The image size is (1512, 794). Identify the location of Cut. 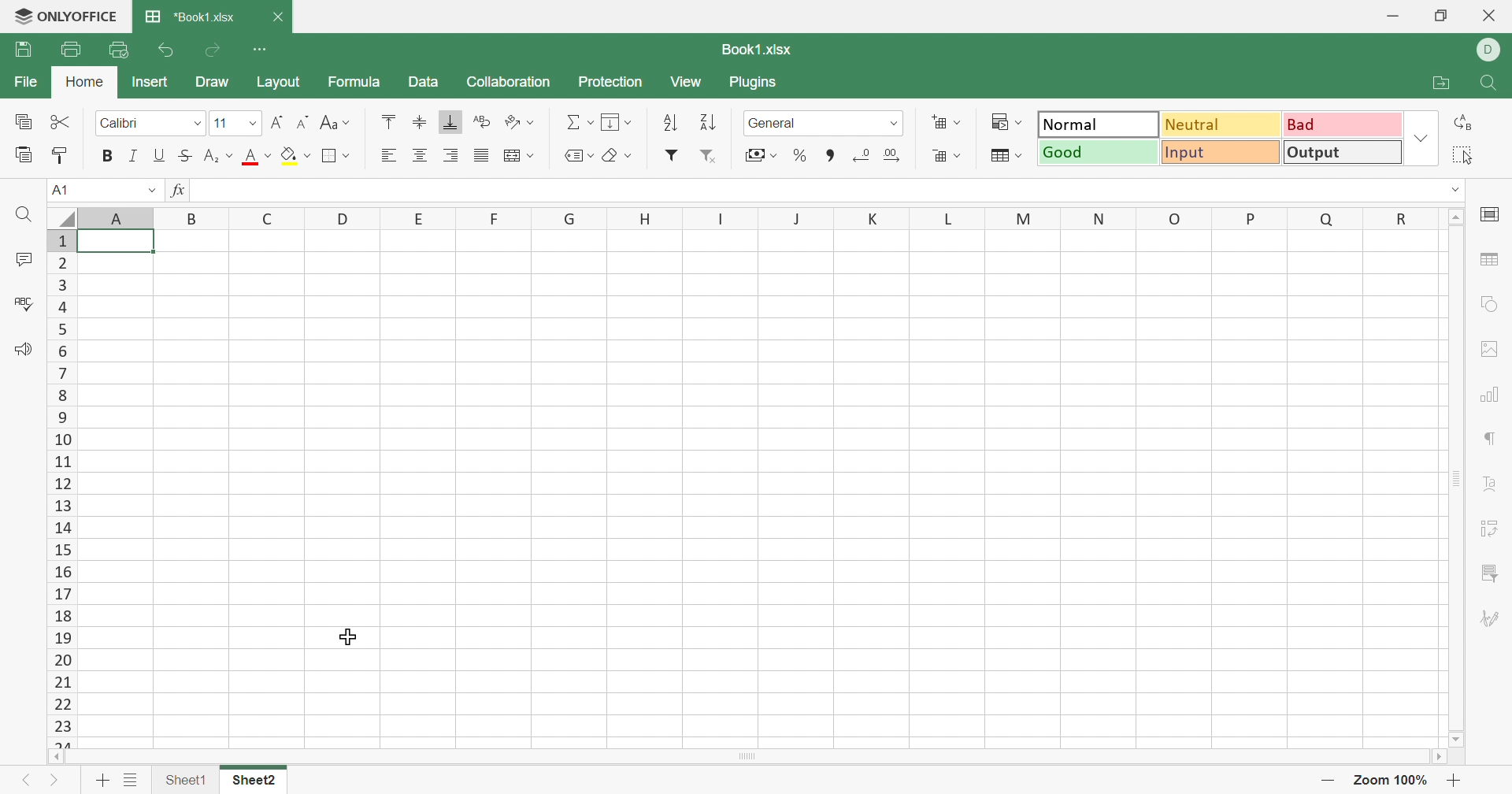
(61, 121).